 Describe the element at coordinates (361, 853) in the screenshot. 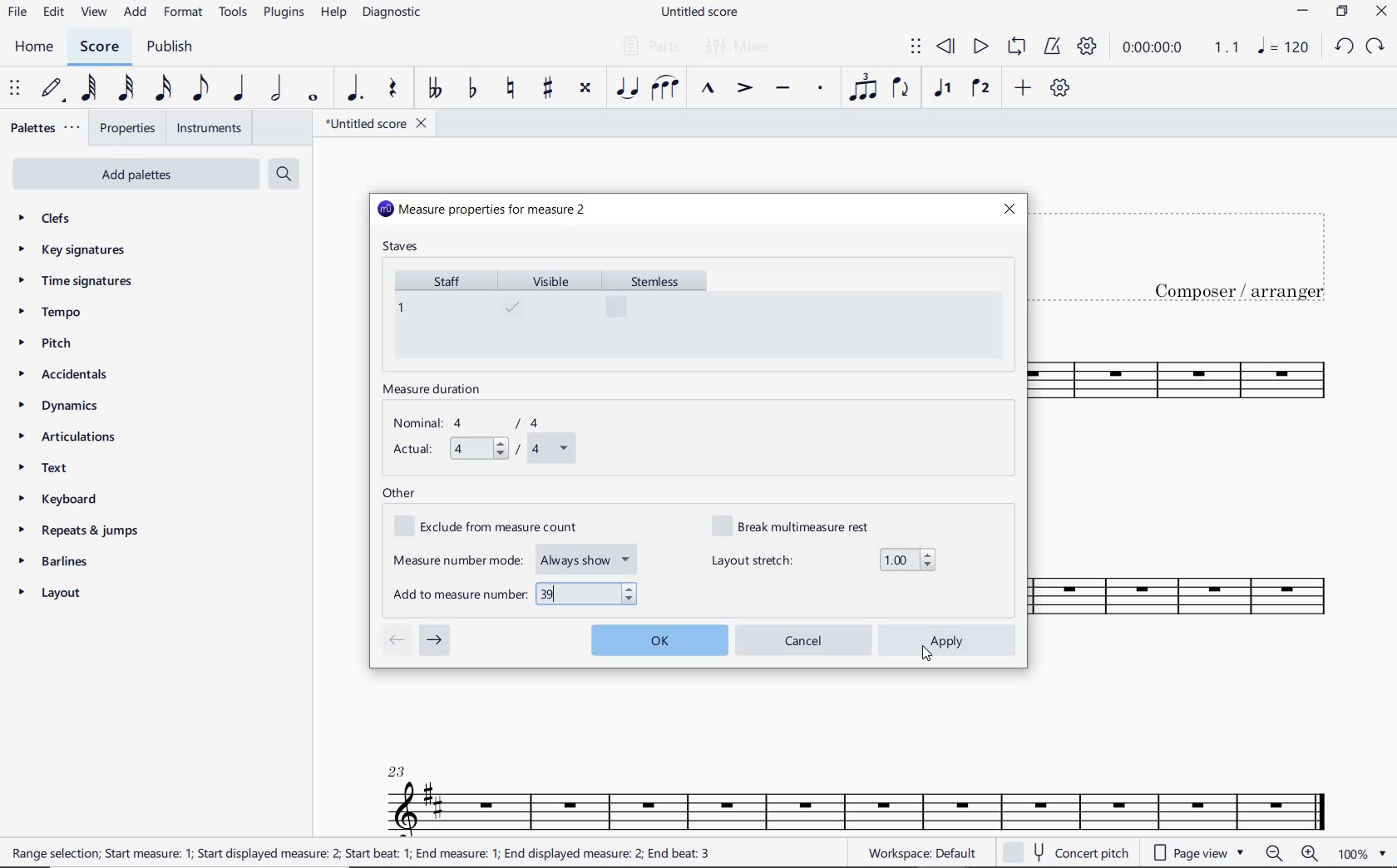

I see `range selection` at that location.